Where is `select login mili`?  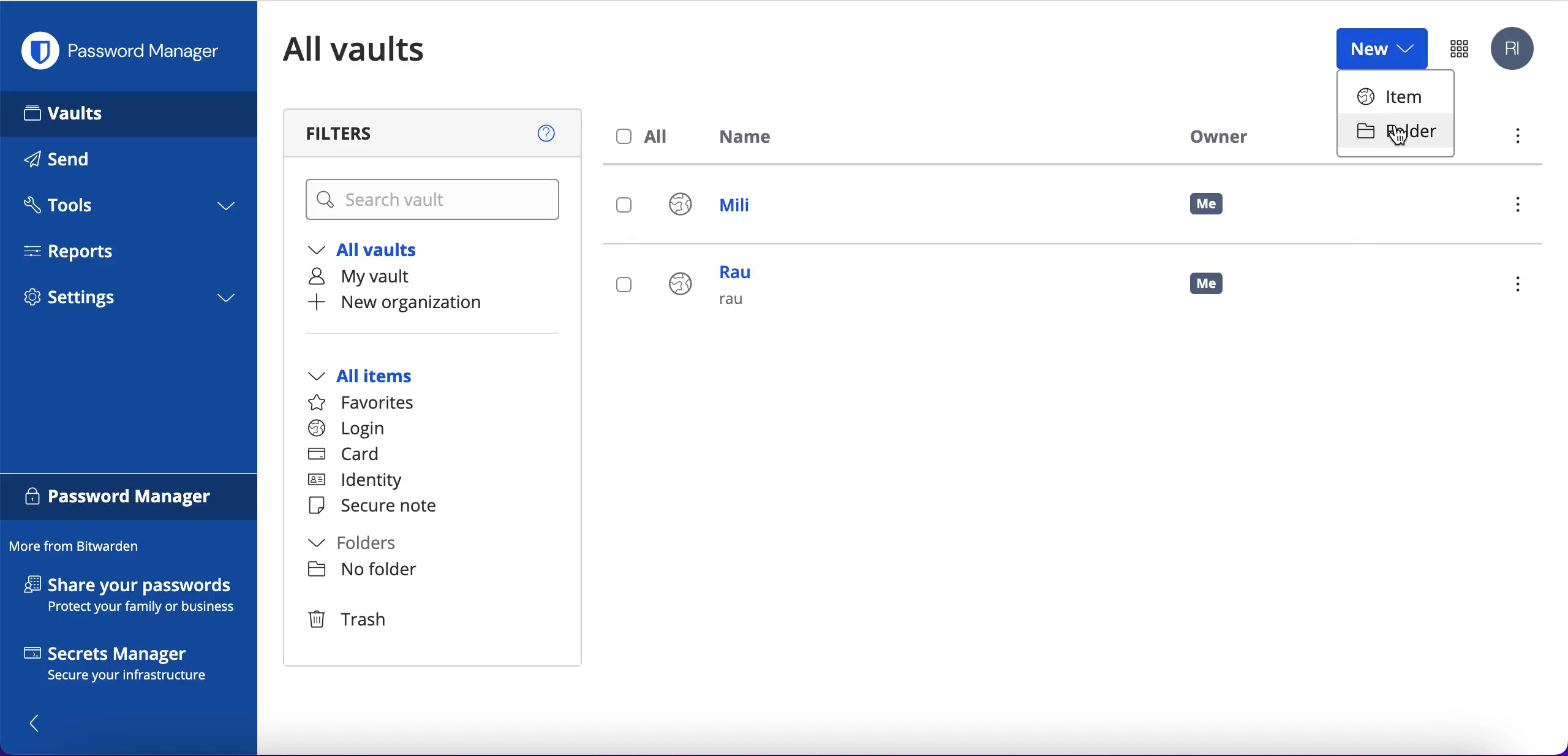
select login mili is located at coordinates (625, 206).